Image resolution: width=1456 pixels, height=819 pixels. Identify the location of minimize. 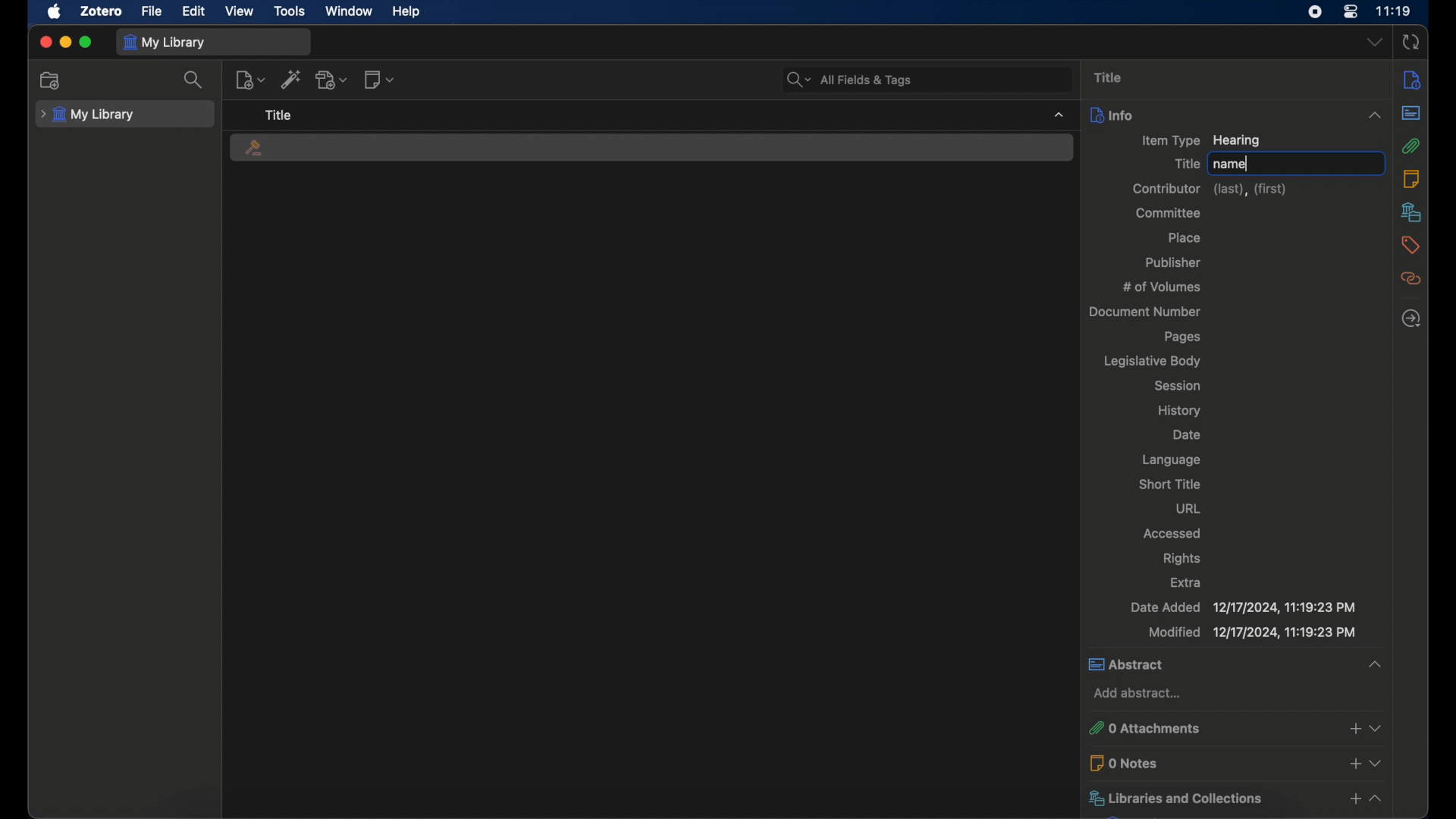
(65, 42).